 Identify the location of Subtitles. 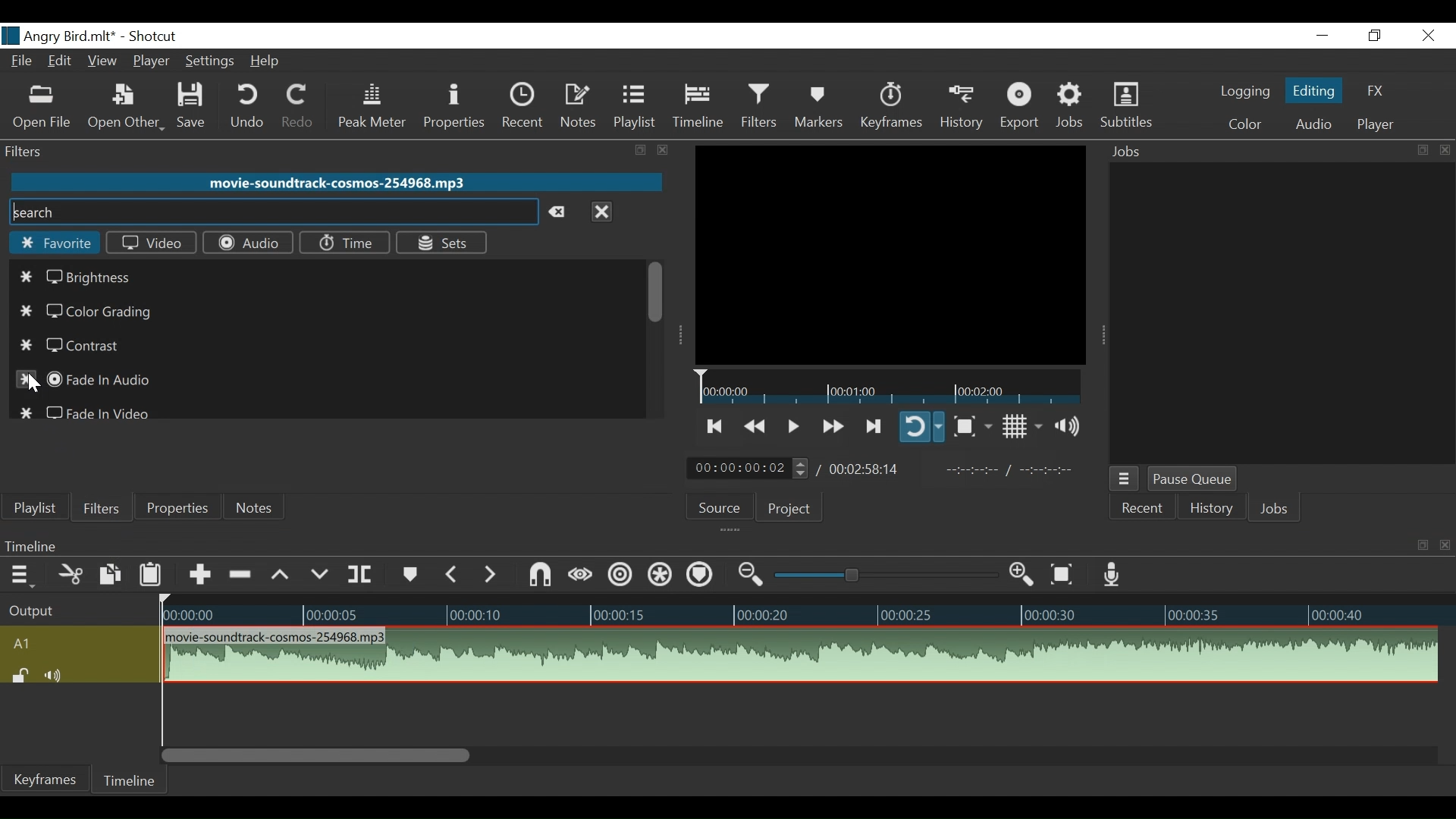
(1126, 106).